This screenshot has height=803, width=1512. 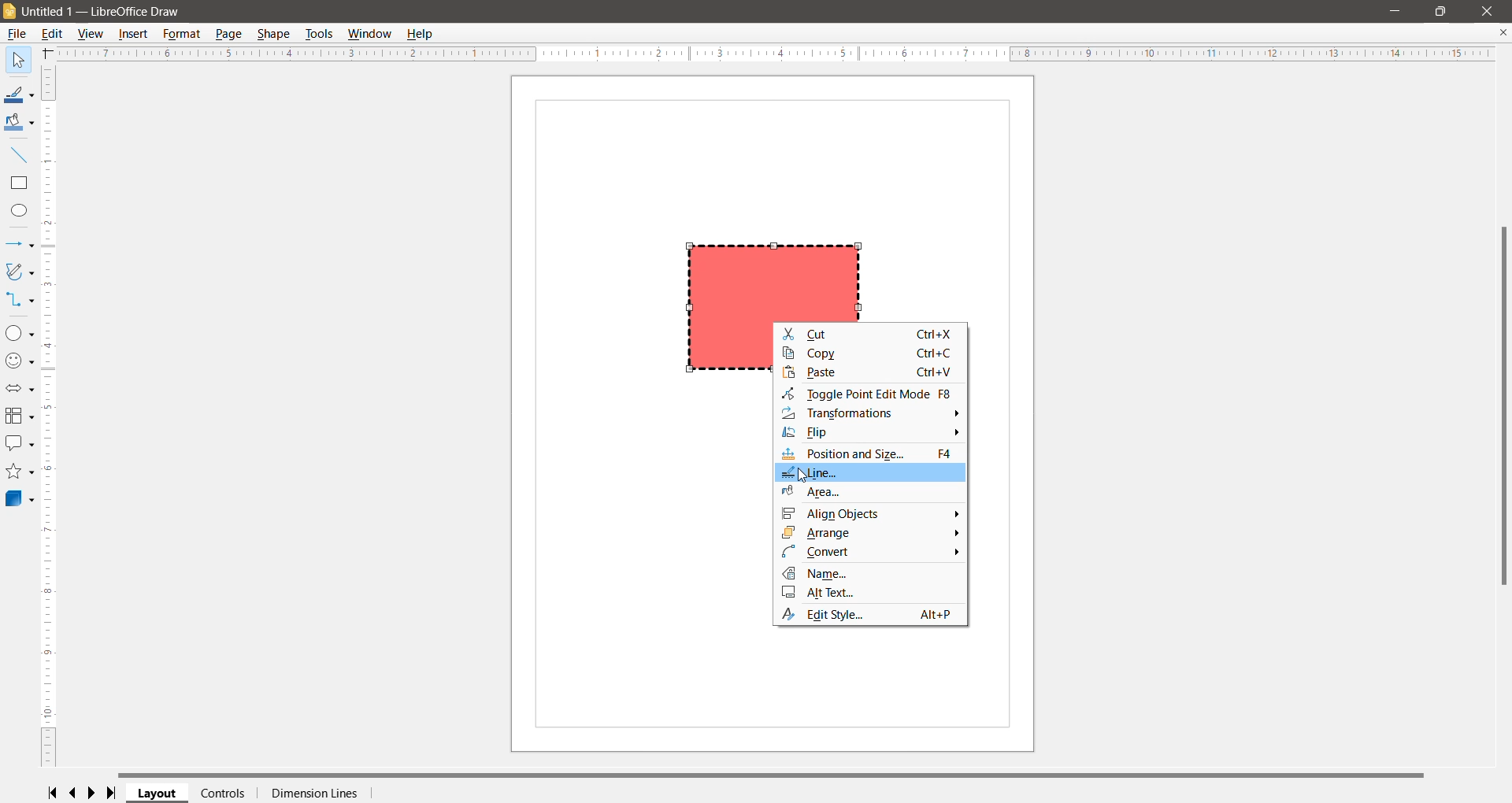 What do you see at coordinates (20, 60) in the screenshot?
I see `Select Tool` at bounding box center [20, 60].